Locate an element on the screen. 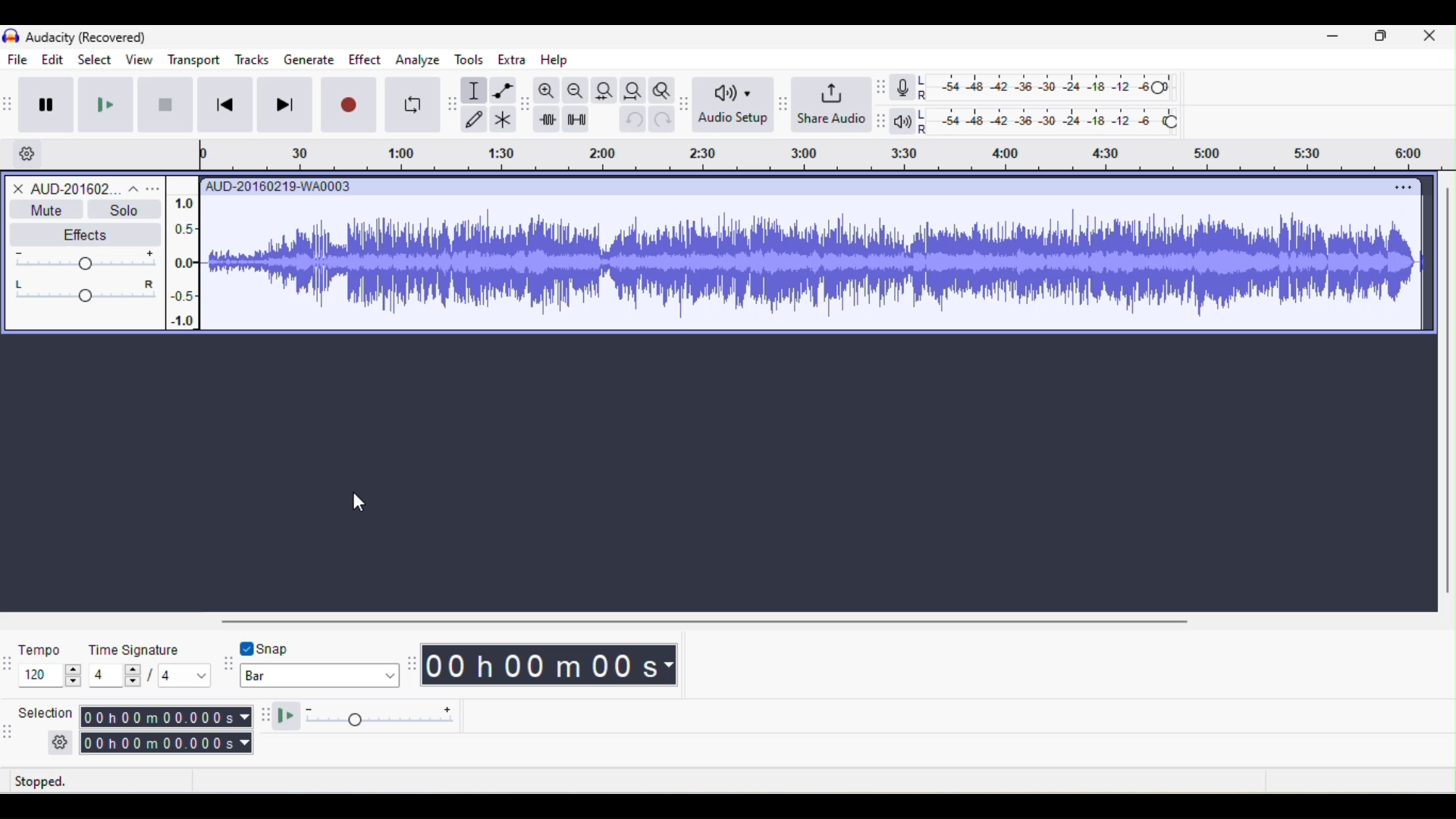 This screenshot has height=819, width=1456. audacity recording meter toolbar is located at coordinates (882, 88).